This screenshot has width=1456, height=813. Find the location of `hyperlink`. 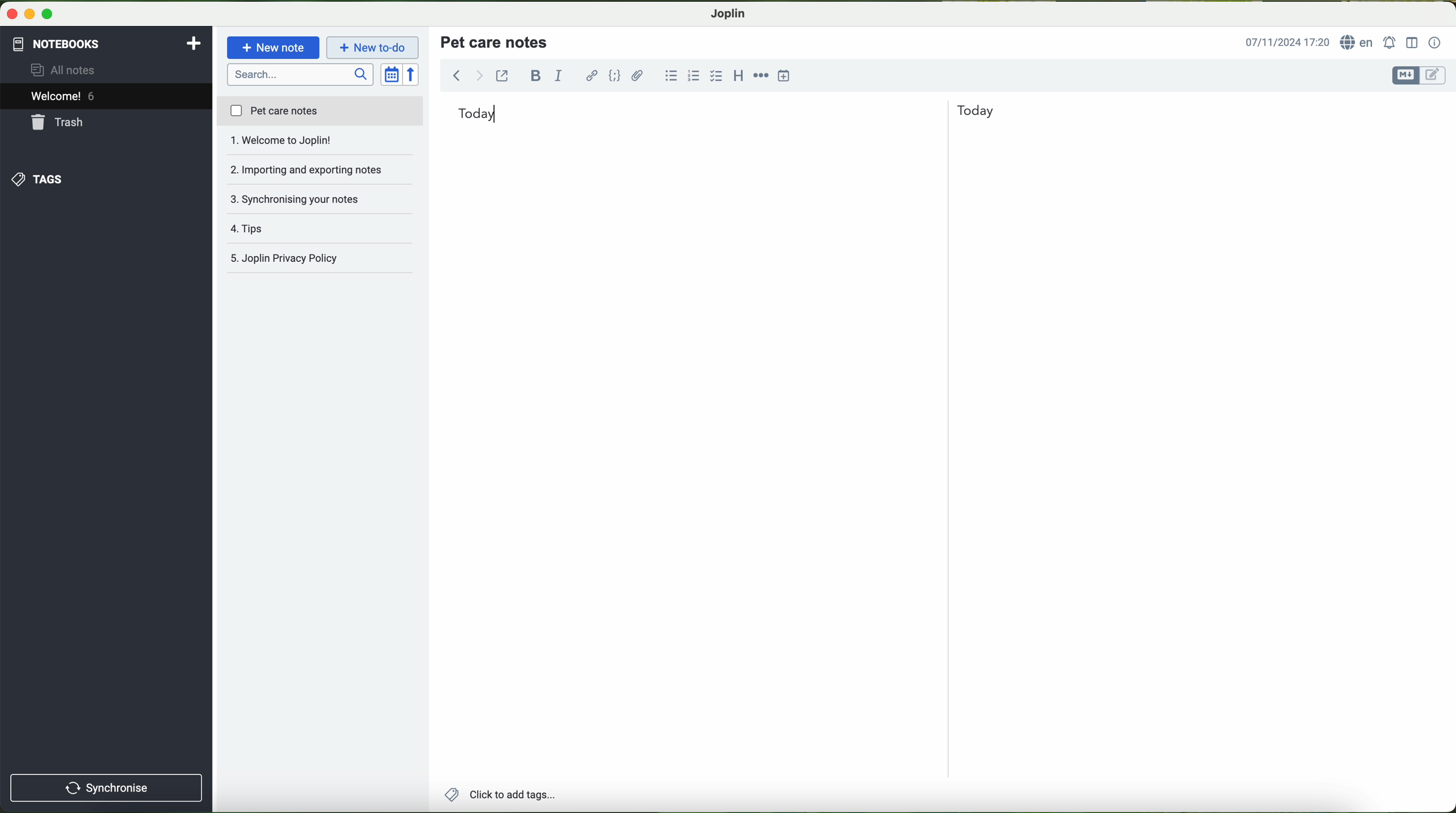

hyperlink is located at coordinates (593, 77).